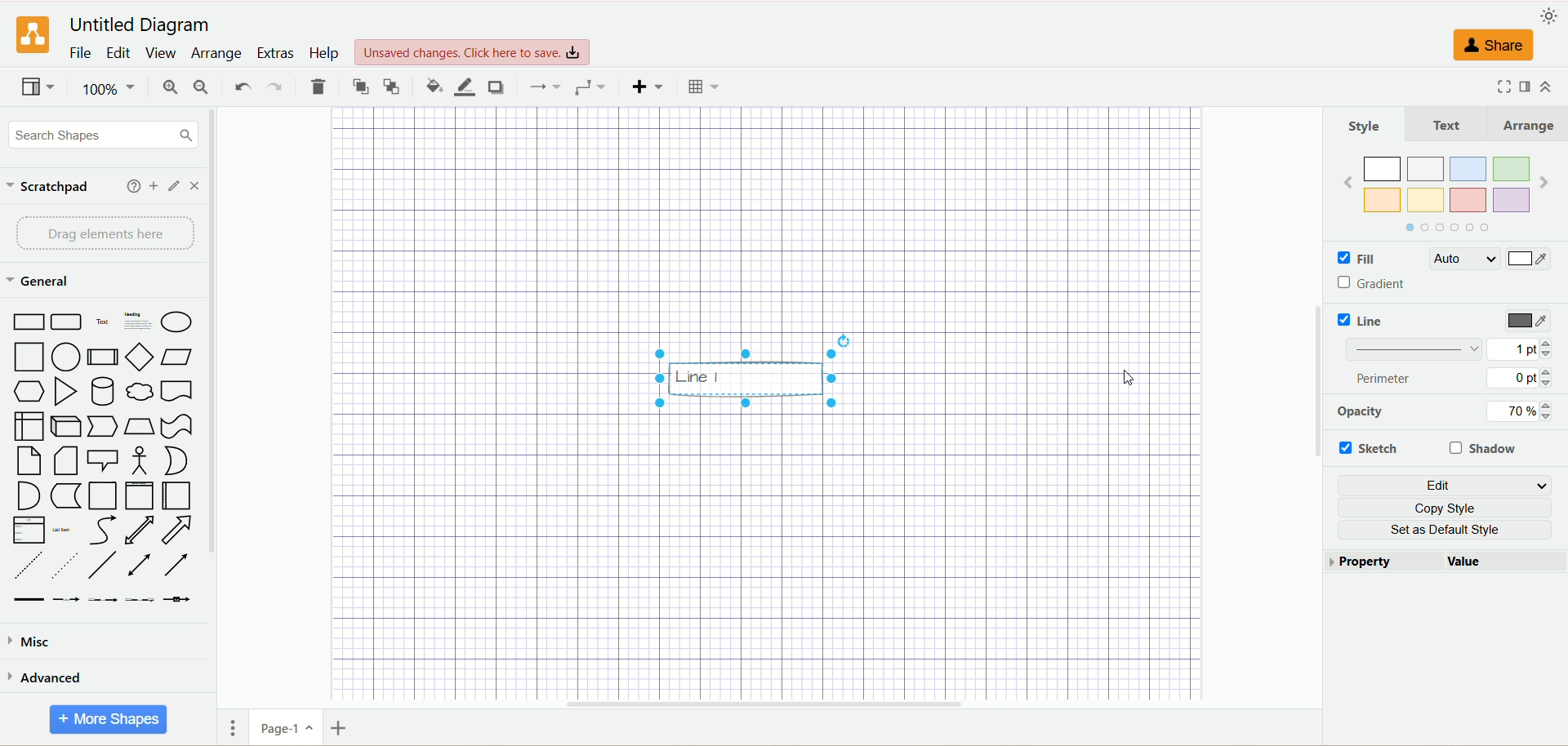  I want to click on Bidirectional Connector, so click(140, 565).